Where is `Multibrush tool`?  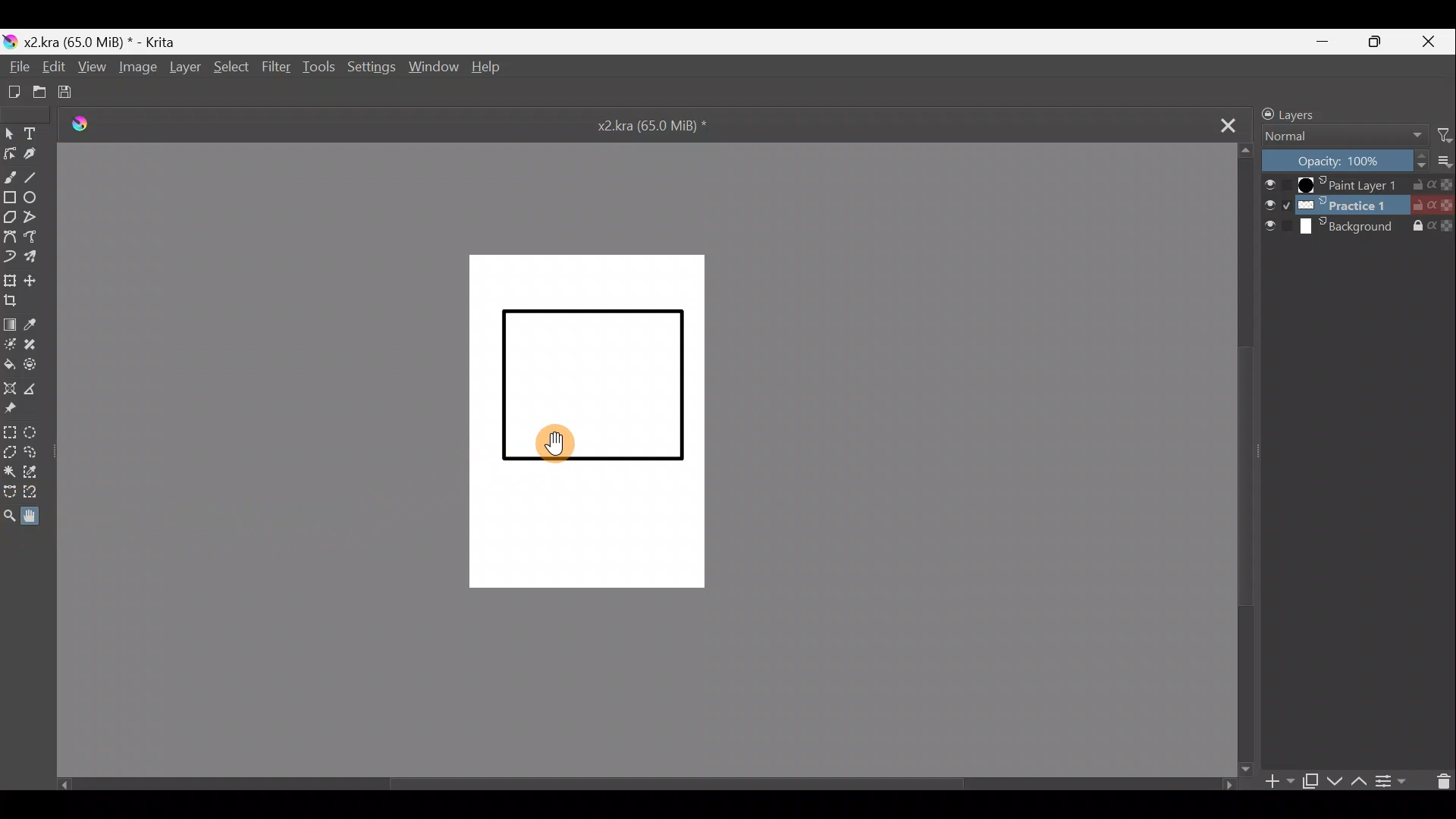
Multibrush tool is located at coordinates (36, 257).